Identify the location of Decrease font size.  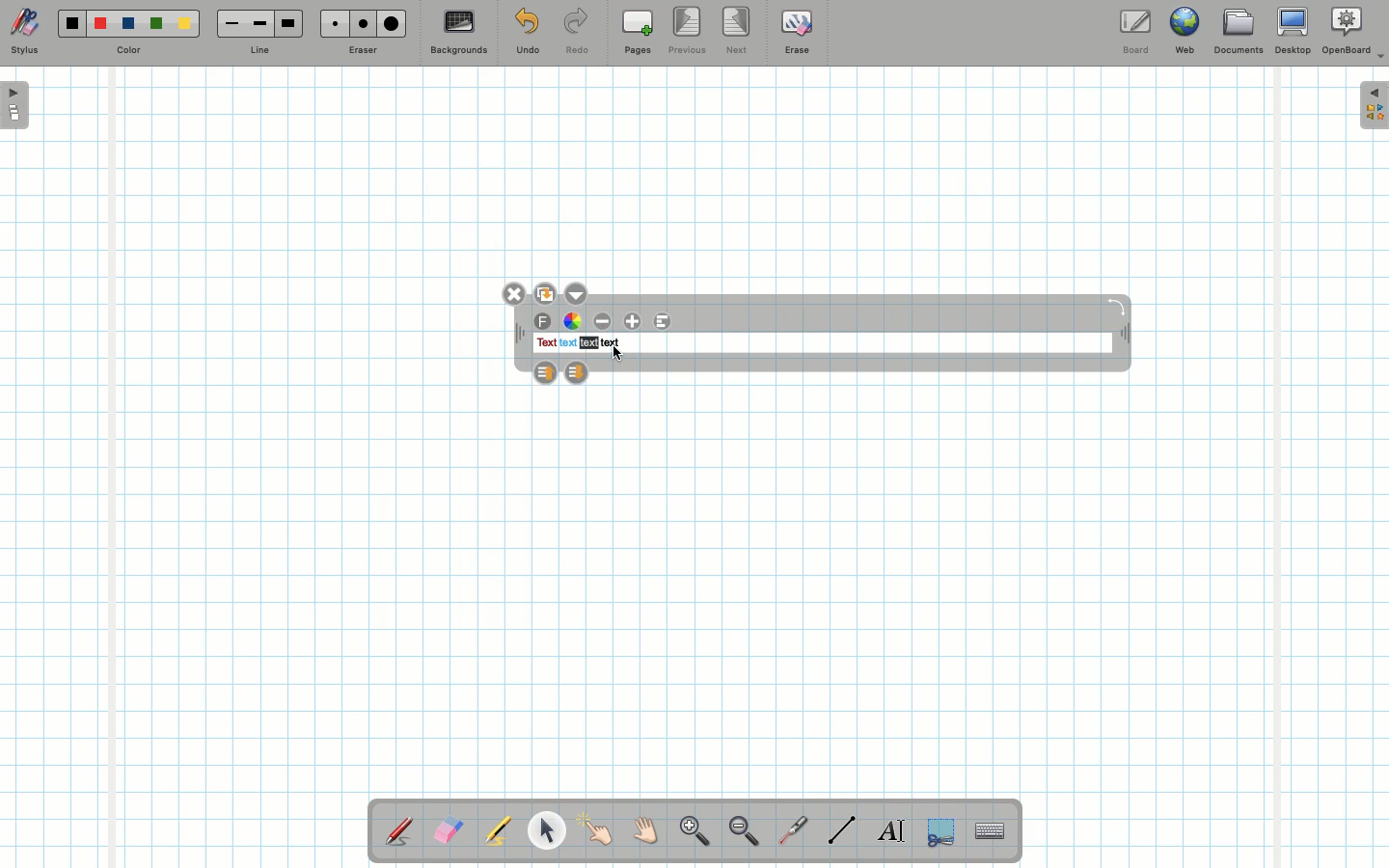
(604, 321).